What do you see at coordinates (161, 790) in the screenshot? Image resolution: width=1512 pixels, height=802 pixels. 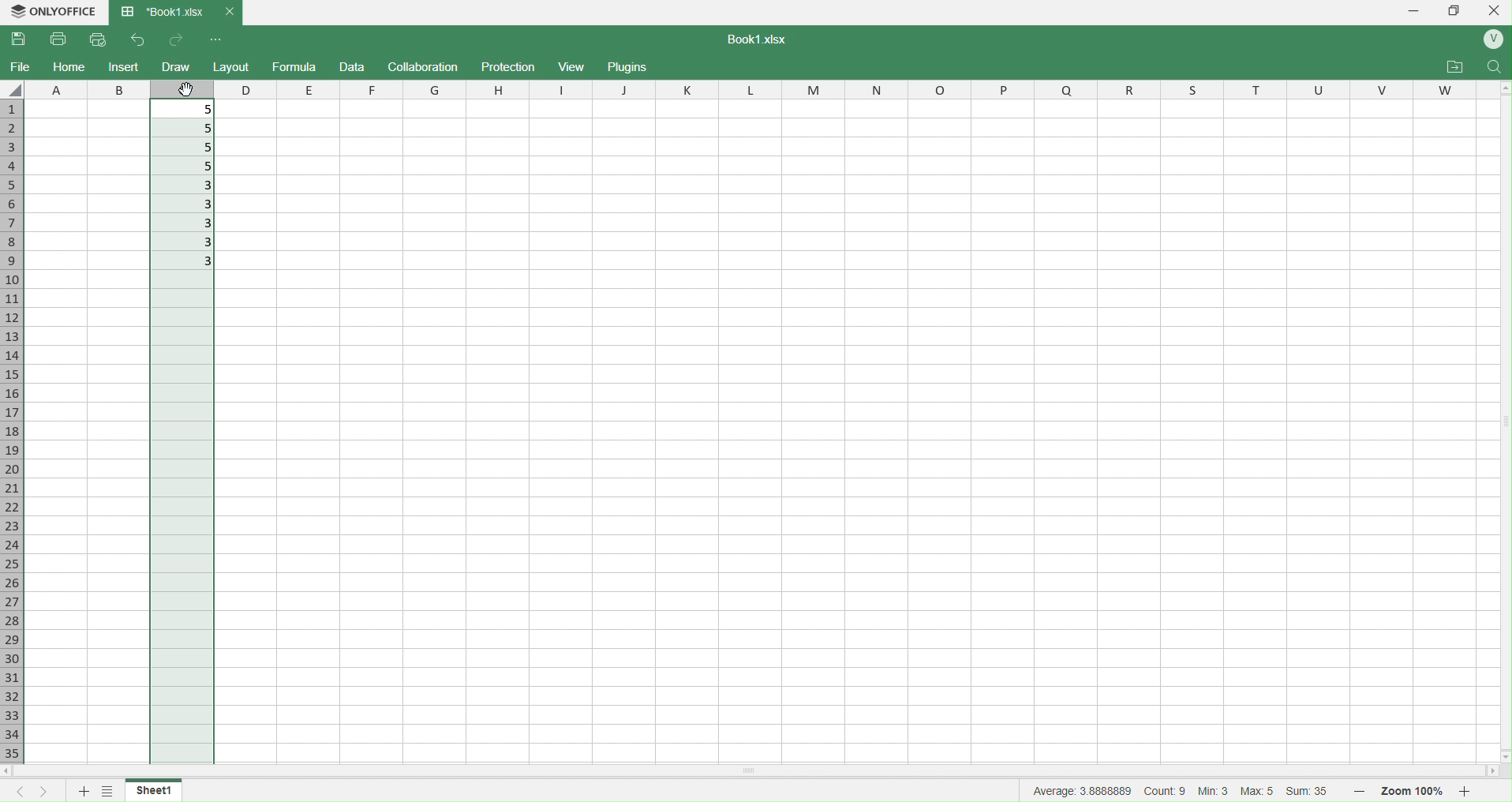 I see `Sheet1` at bounding box center [161, 790].